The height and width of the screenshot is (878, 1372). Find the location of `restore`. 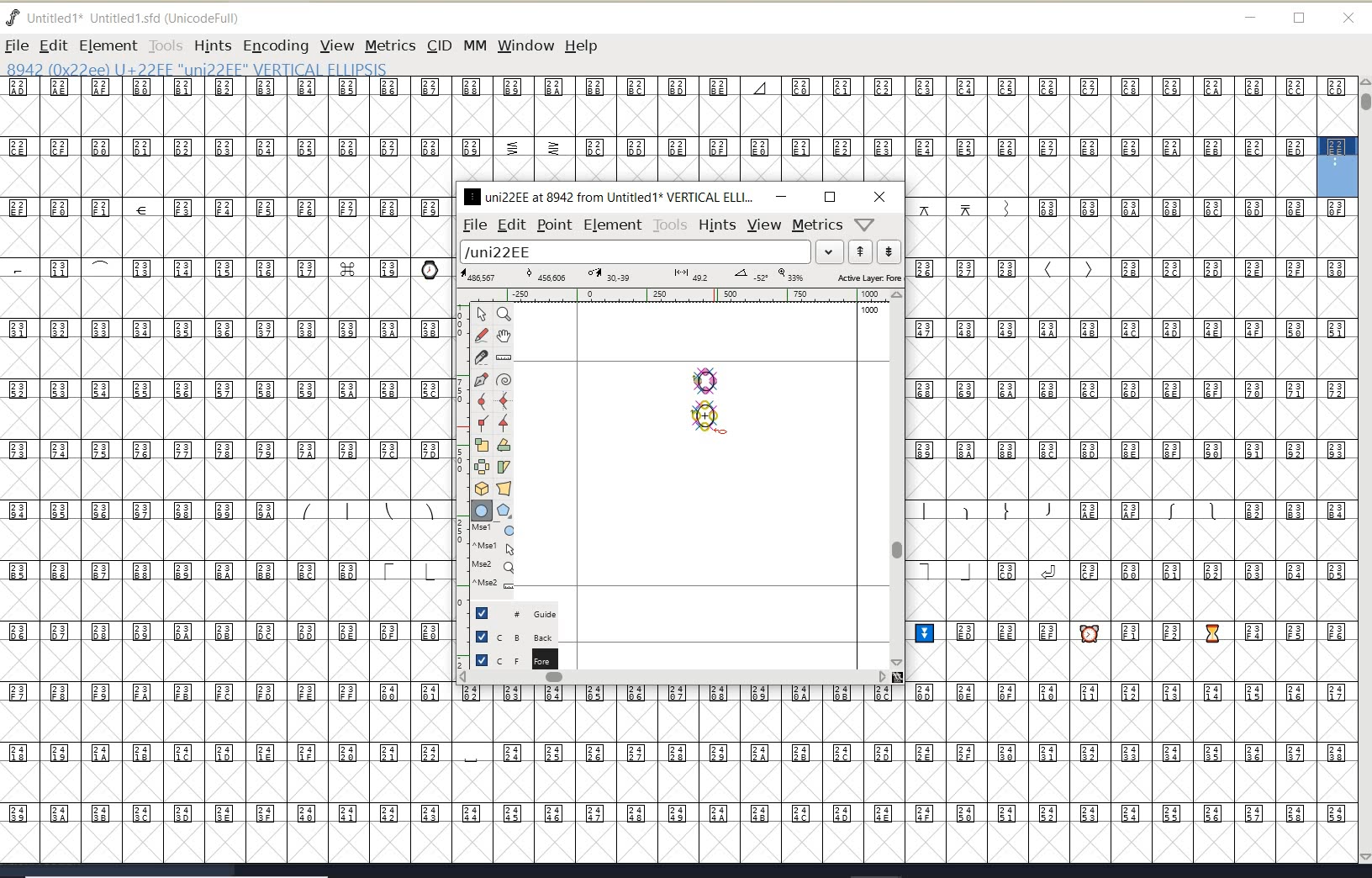

restore is located at coordinates (1300, 19).